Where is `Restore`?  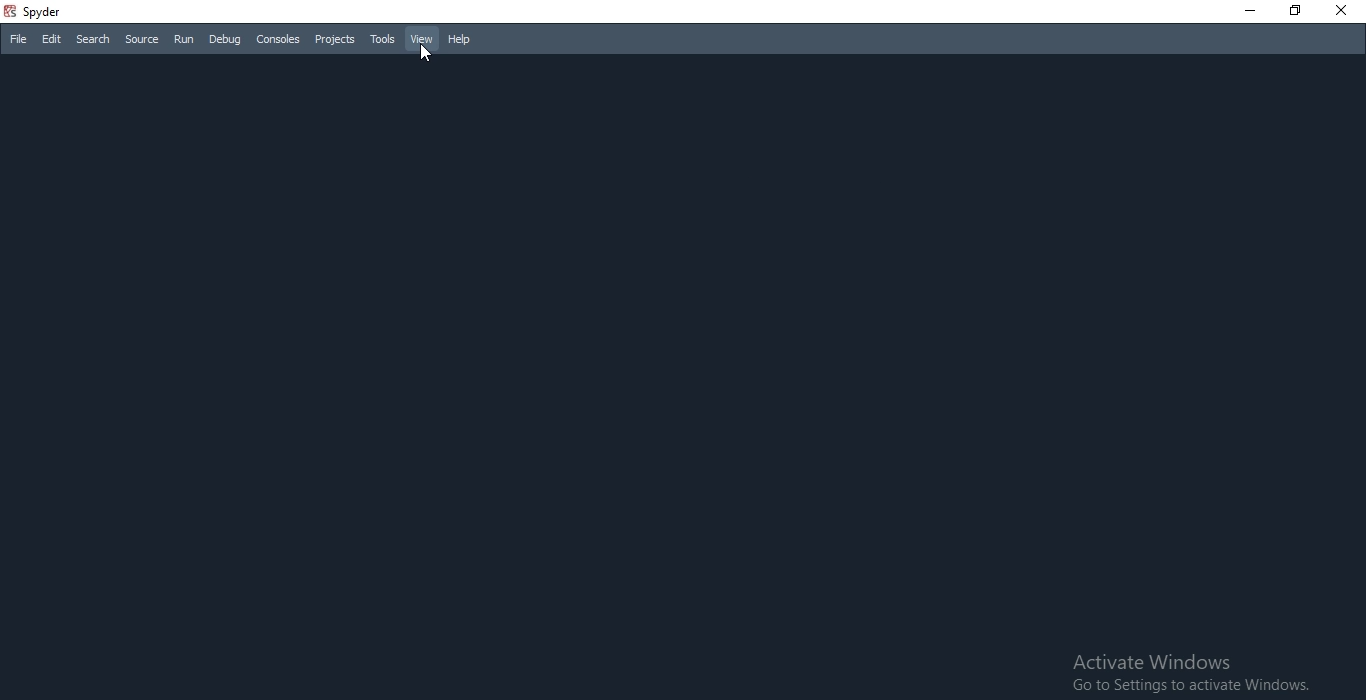 Restore is located at coordinates (1288, 10).